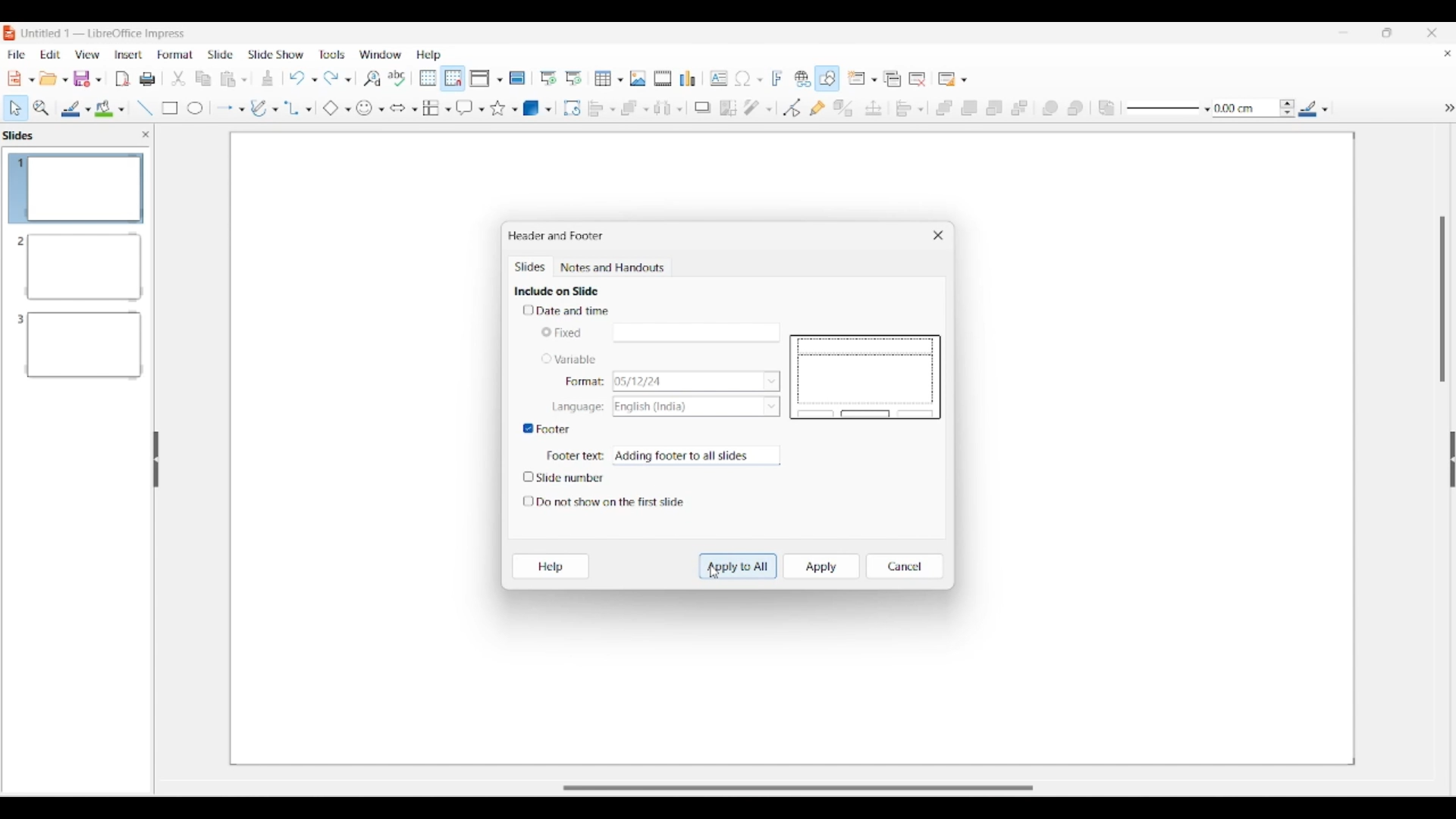  Describe the element at coordinates (108, 106) in the screenshot. I see `Color` at that location.